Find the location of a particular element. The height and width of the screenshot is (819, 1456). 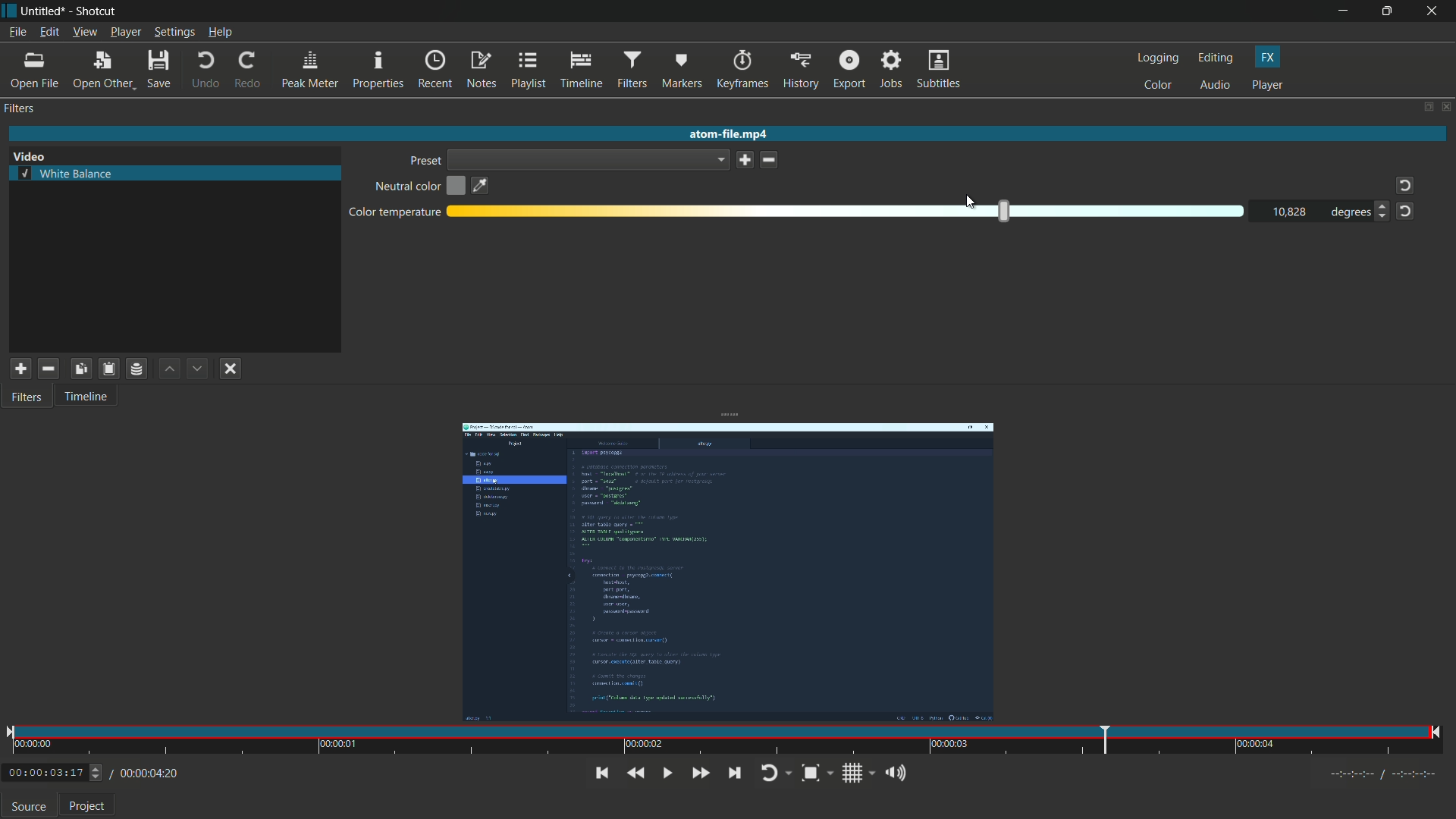

reset tot default is located at coordinates (1402, 186).